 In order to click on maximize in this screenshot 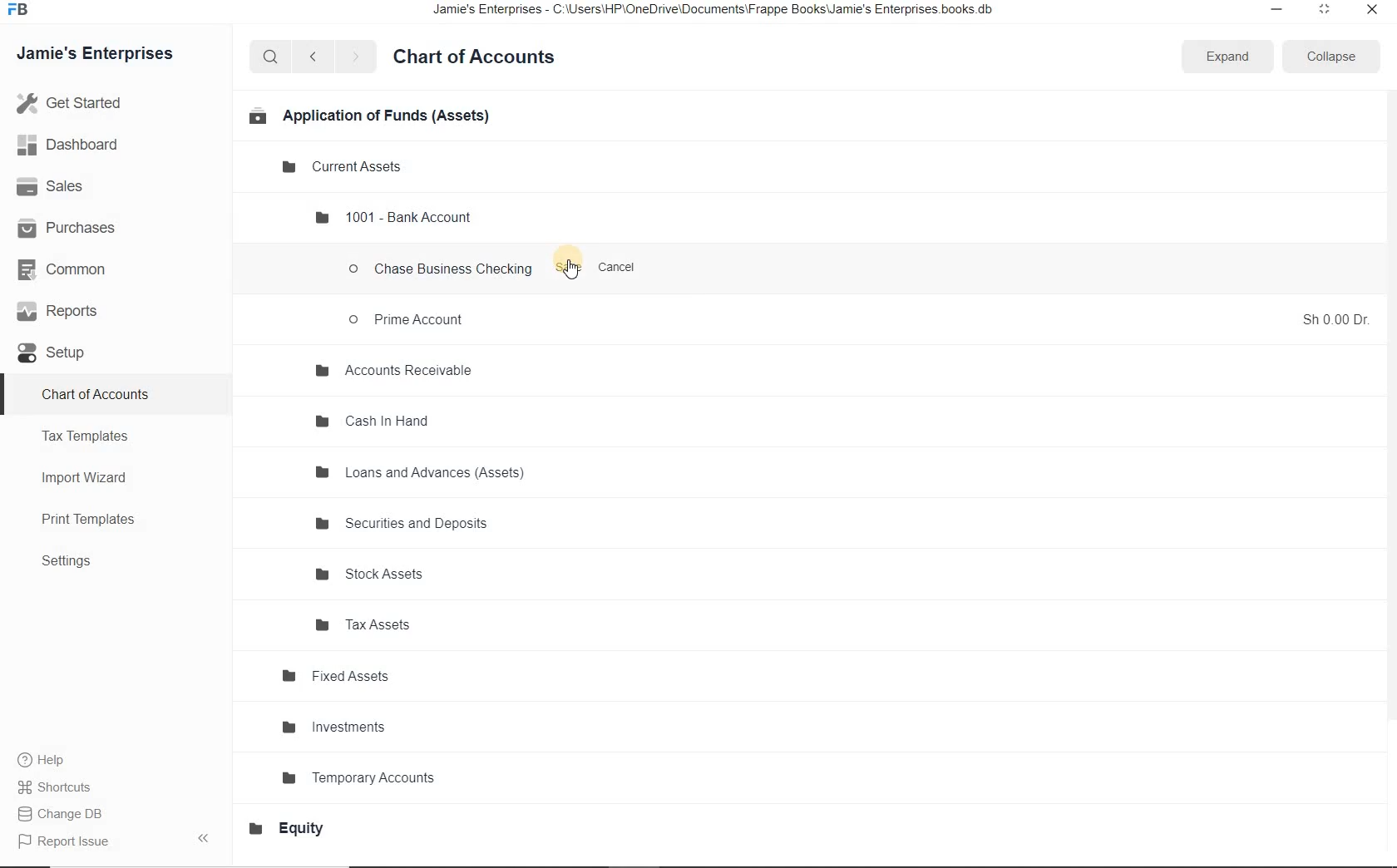, I will do `click(1323, 9)`.